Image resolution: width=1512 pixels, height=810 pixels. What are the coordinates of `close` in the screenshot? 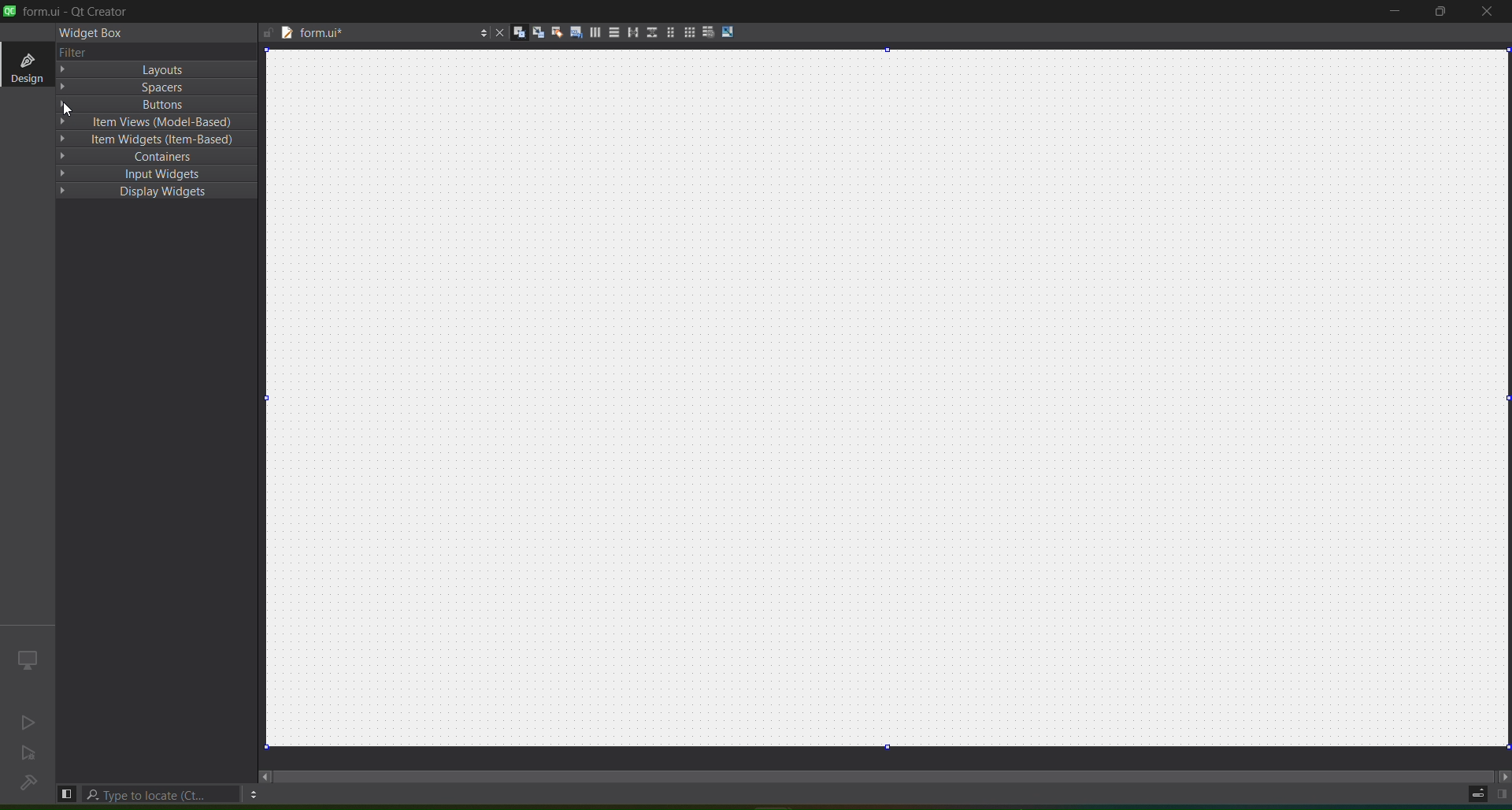 It's located at (1485, 14).